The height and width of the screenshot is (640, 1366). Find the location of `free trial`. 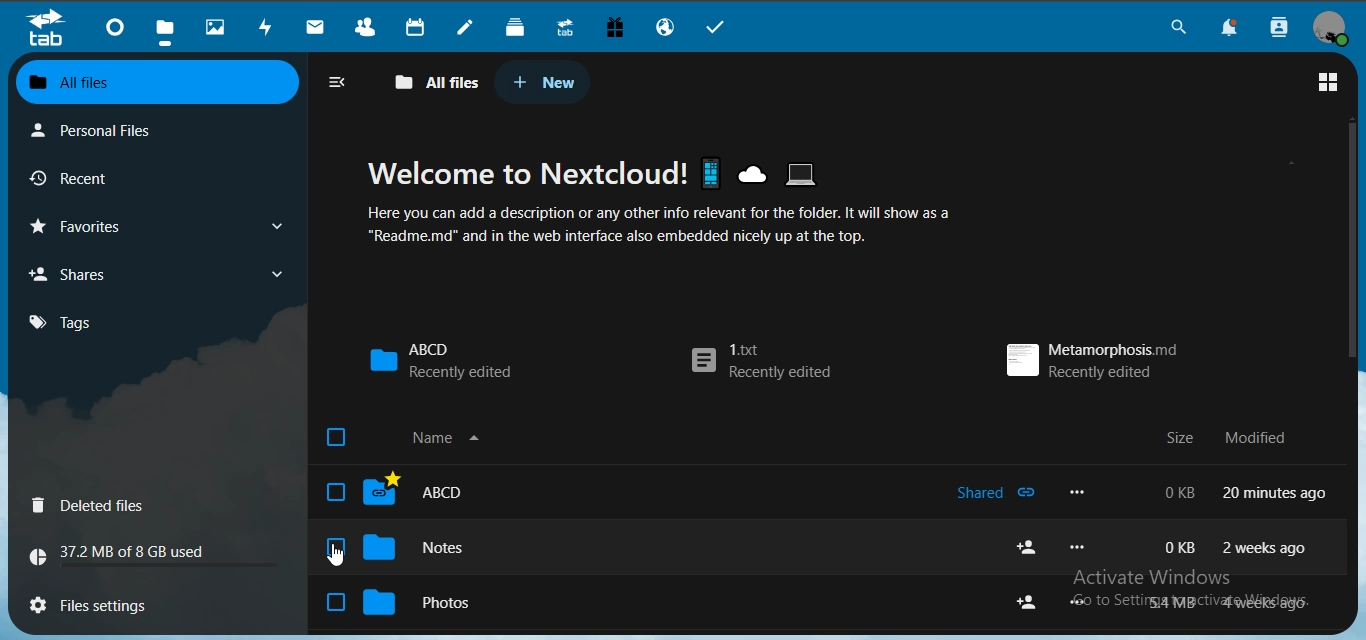

free trial is located at coordinates (615, 26).